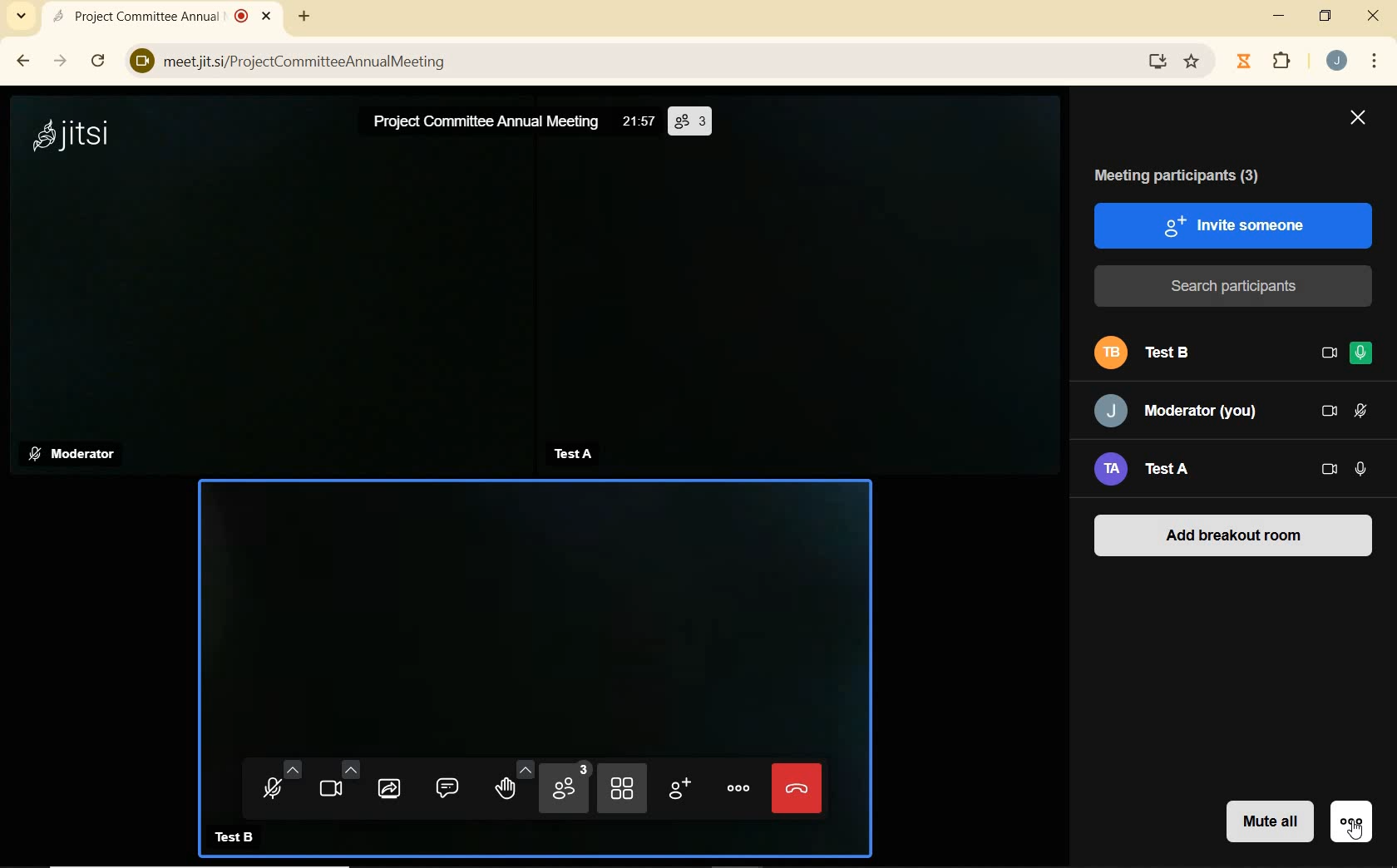 Image resolution: width=1397 pixels, height=868 pixels. What do you see at coordinates (303, 16) in the screenshot?
I see `ADD NEW TAB` at bounding box center [303, 16].